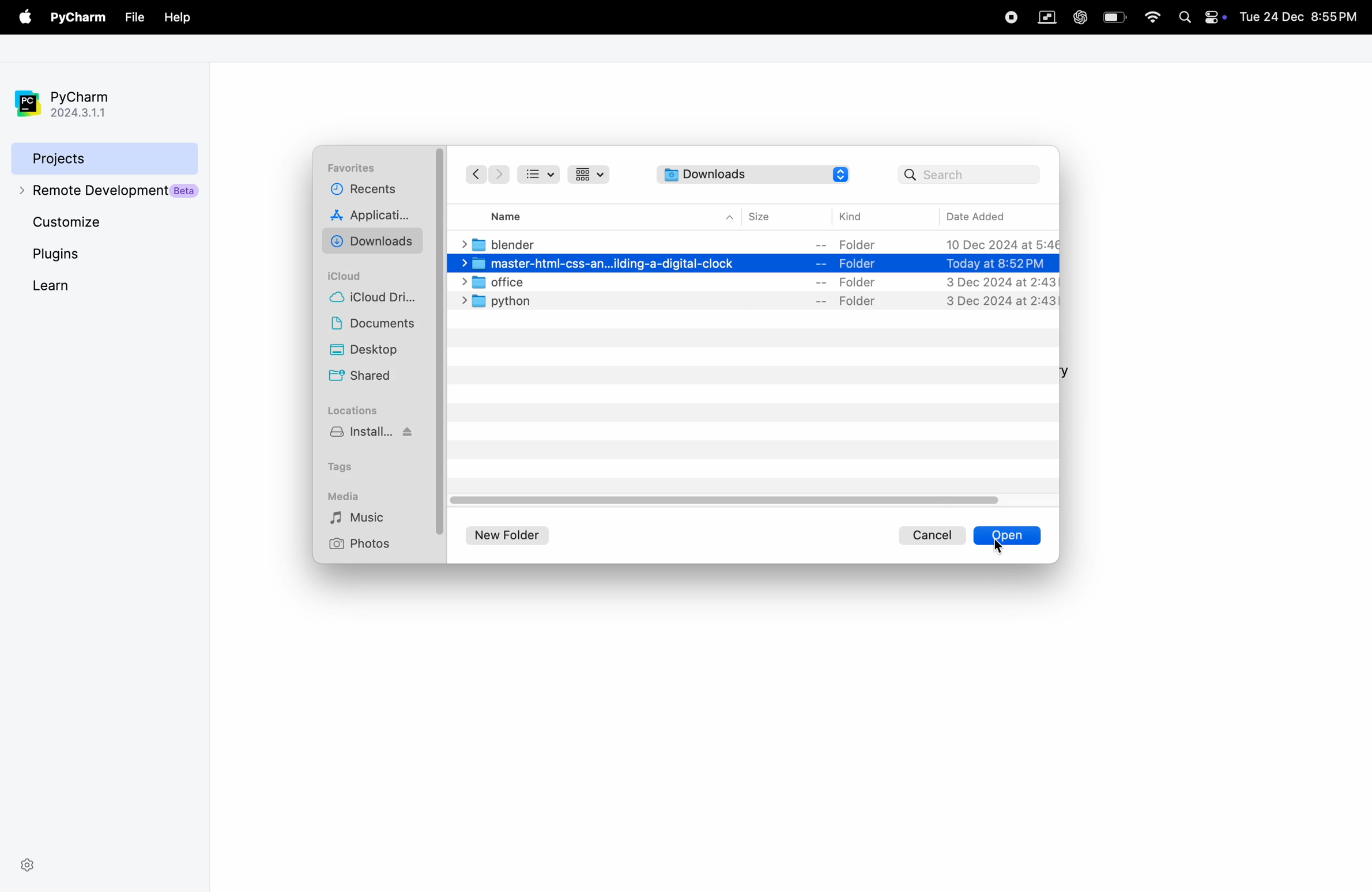 This screenshot has width=1372, height=892. What do you see at coordinates (367, 518) in the screenshot?
I see `music` at bounding box center [367, 518].